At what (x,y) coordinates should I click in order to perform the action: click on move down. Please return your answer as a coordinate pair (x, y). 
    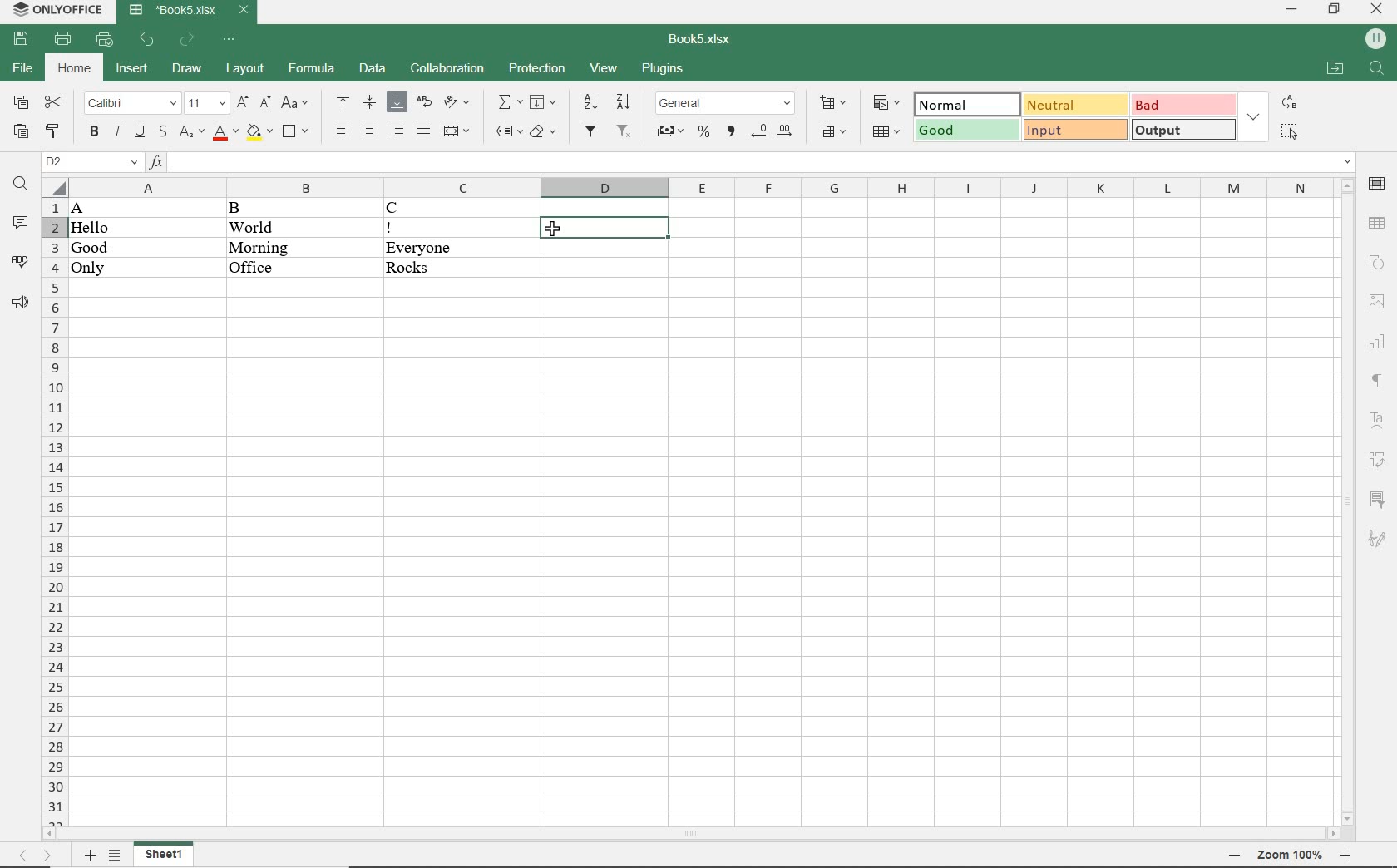
    Looking at the image, I should click on (1346, 817).